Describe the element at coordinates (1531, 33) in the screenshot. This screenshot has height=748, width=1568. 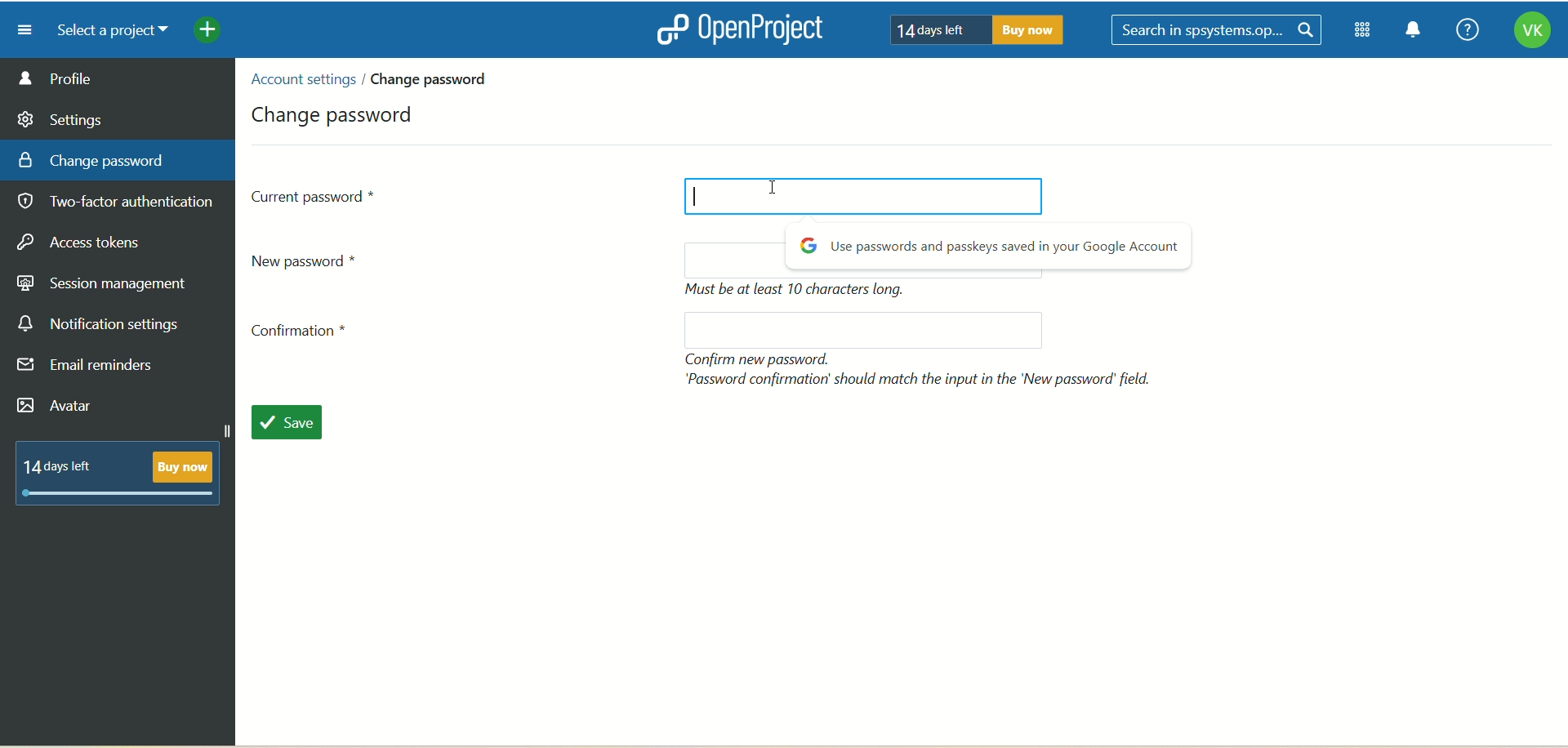
I see `account` at that location.